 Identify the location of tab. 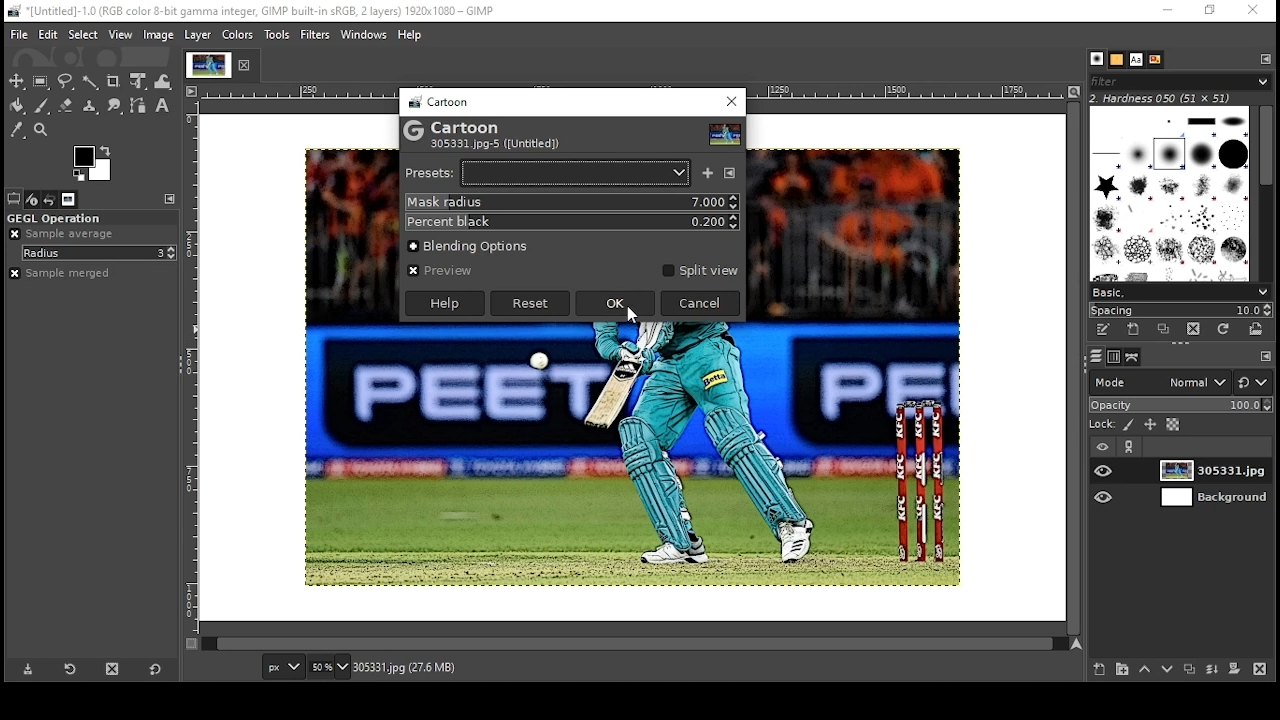
(206, 65).